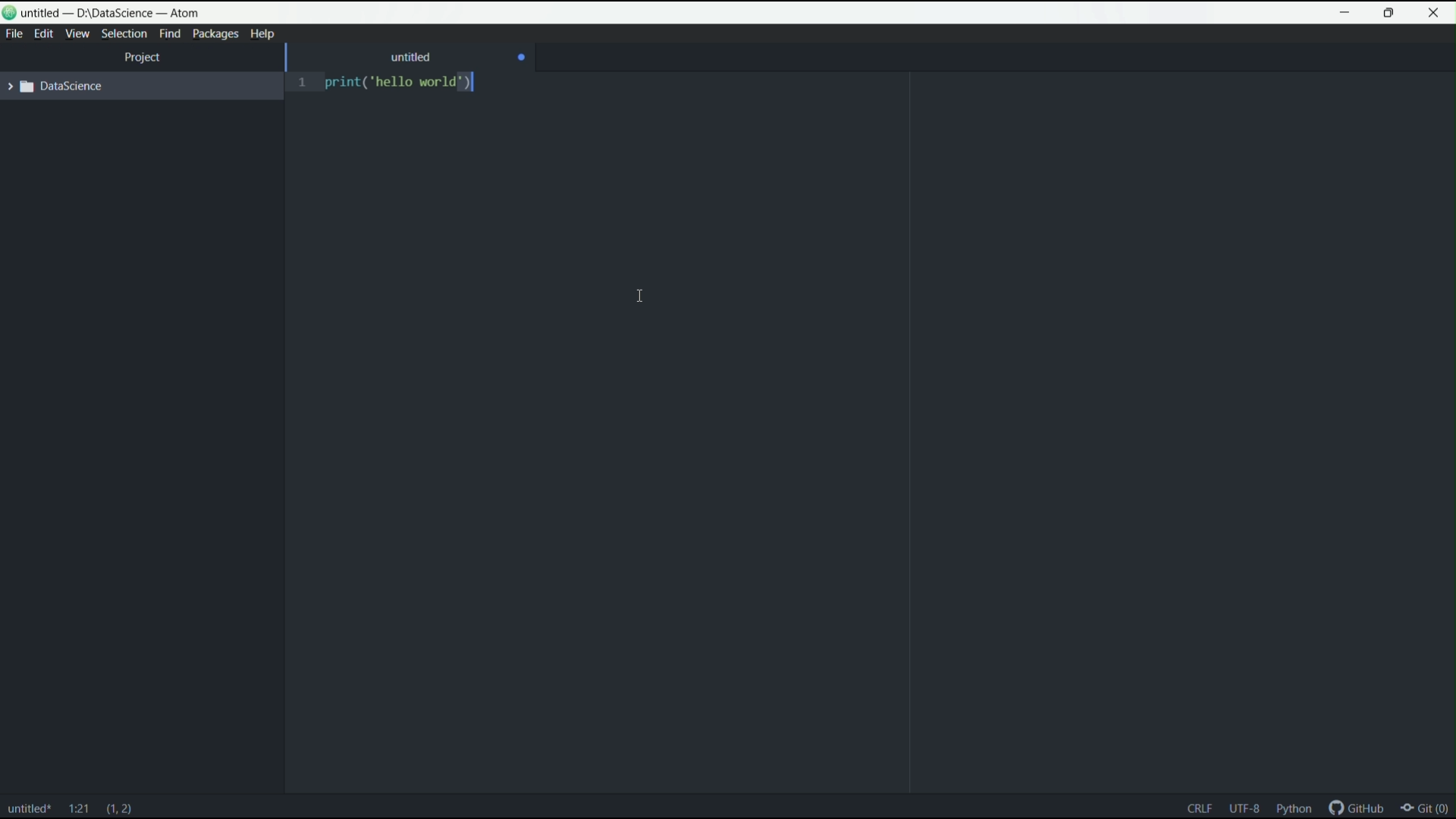 Image resolution: width=1456 pixels, height=819 pixels. I want to click on git, so click(1429, 810).